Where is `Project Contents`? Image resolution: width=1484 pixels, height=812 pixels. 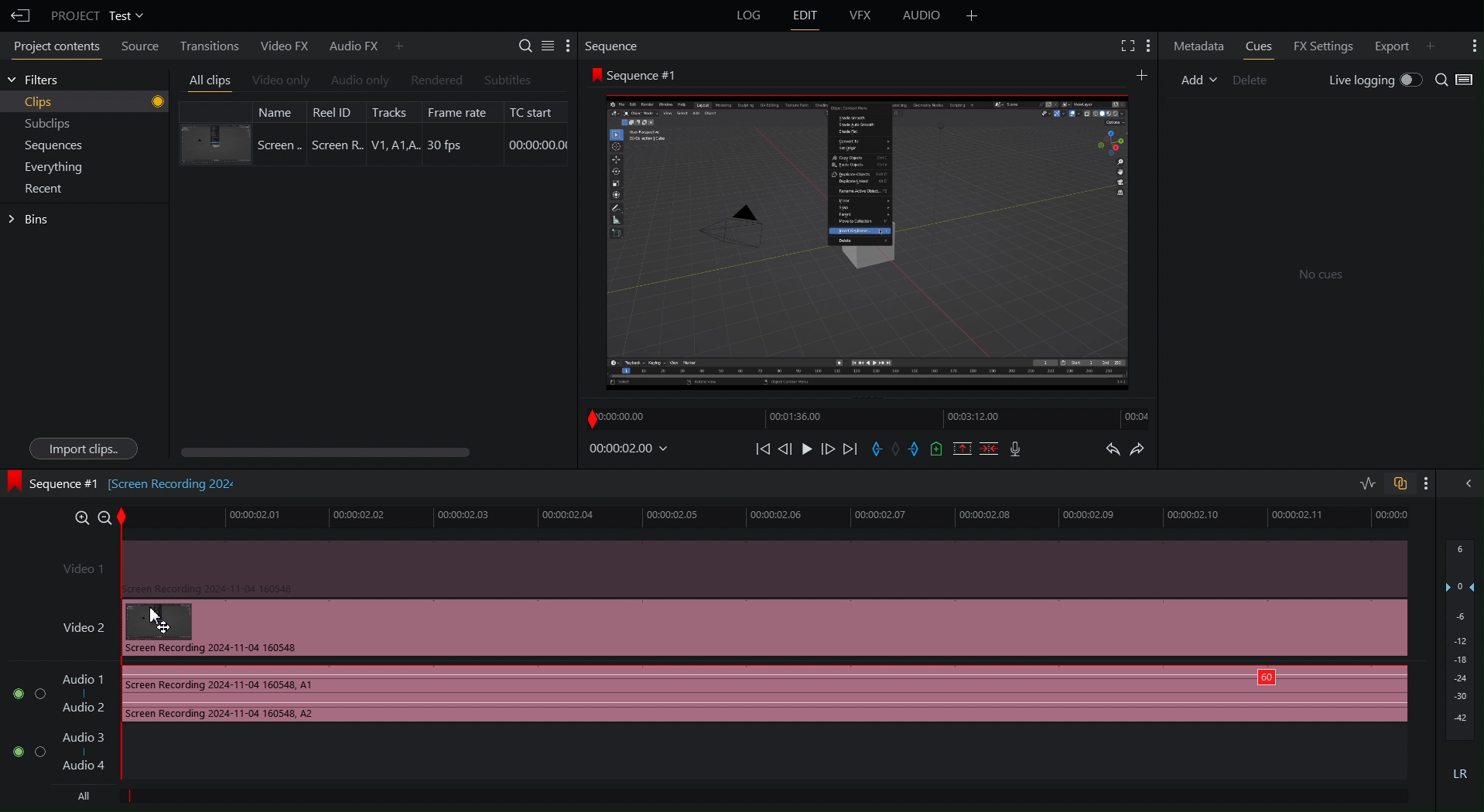
Project Contents is located at coordinates (56, 46).